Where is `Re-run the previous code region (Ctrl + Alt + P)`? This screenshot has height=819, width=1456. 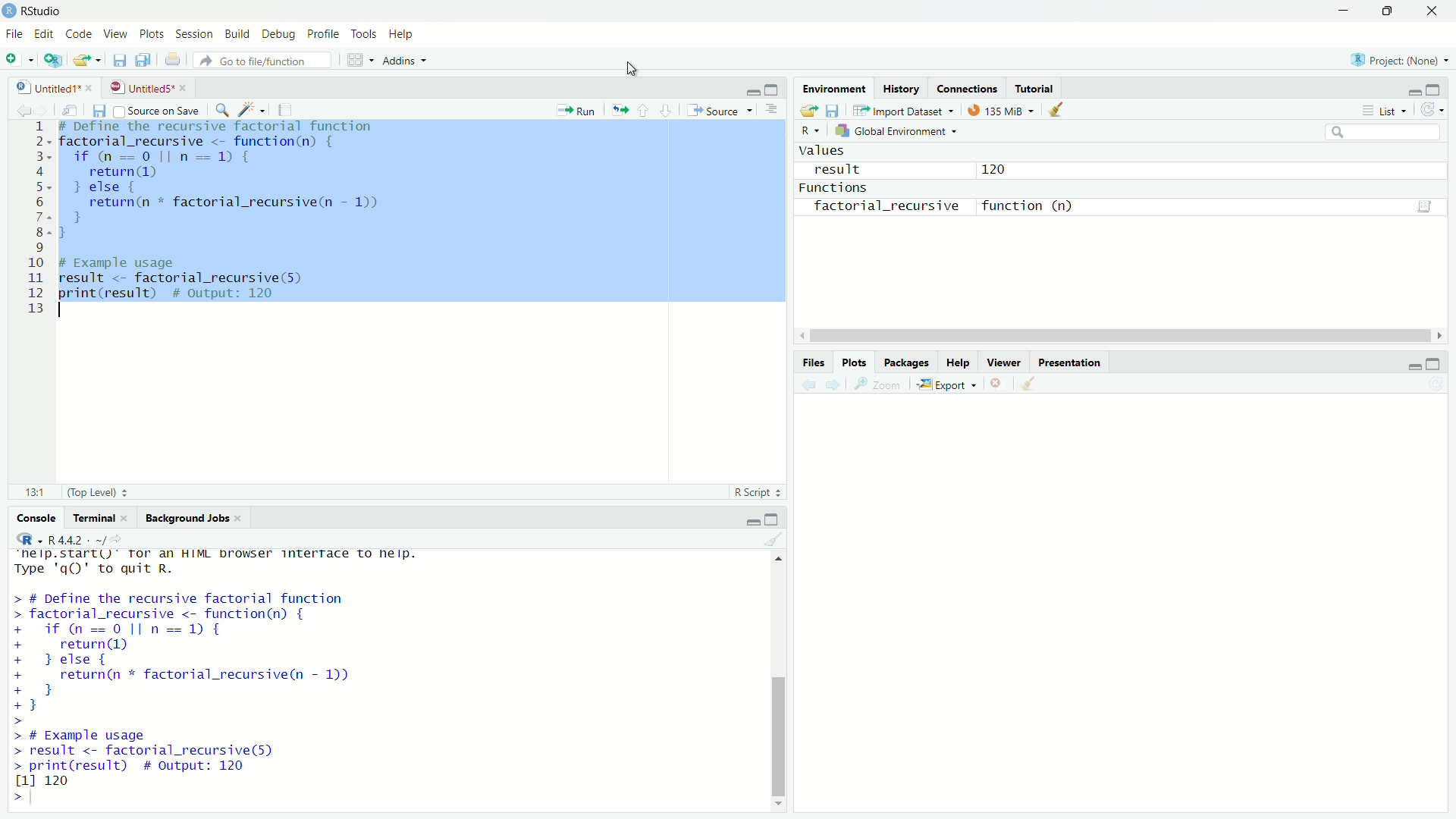
Re-run the previous code region (Ctrl + Alt + P) is located at coordinates (619, 109).